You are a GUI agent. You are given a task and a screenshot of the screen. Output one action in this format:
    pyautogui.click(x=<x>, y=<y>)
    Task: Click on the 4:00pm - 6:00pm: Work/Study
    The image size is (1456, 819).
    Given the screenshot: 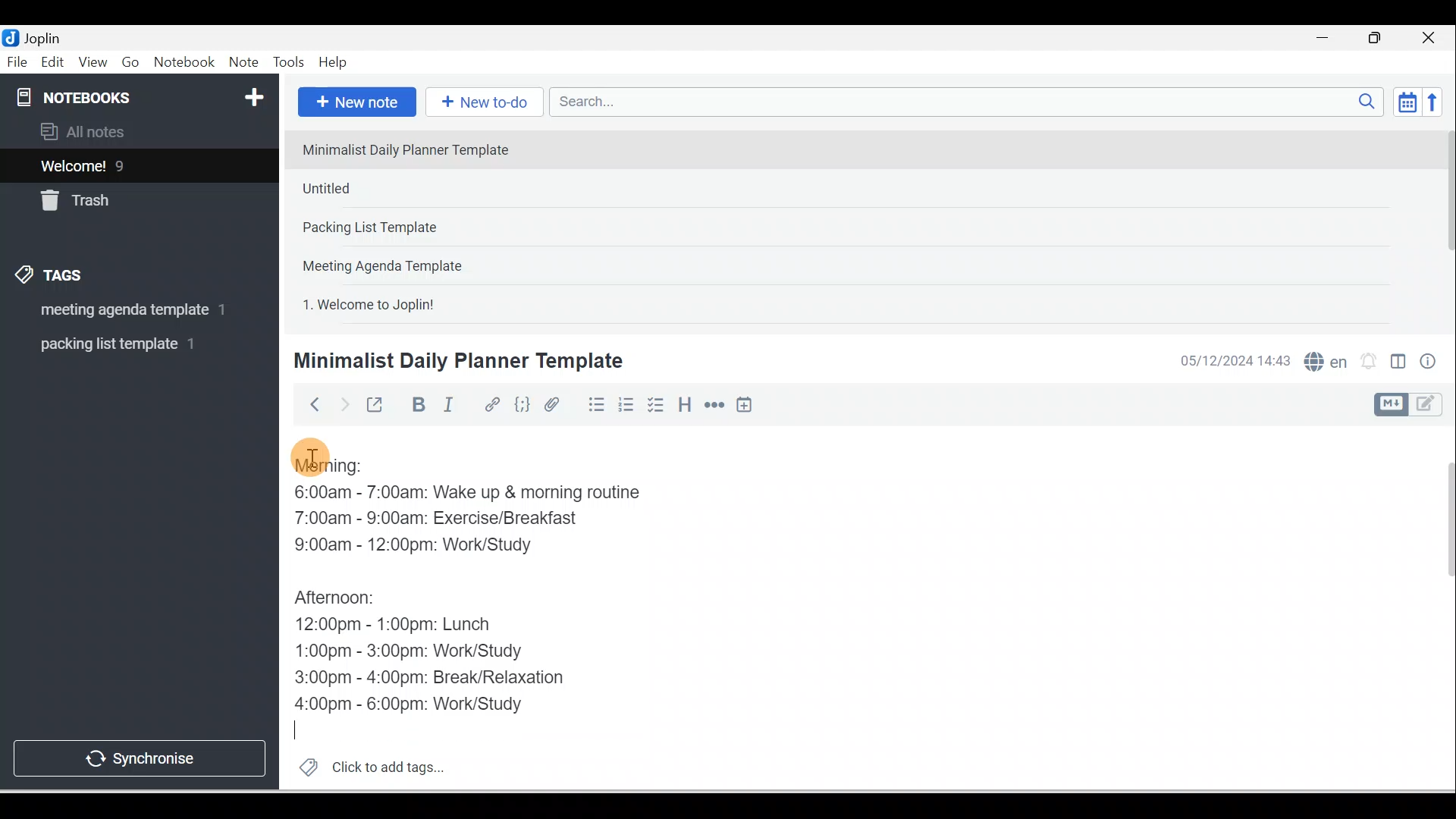 What is the action you would take?
    pyautogui.click(x=413, y=705)
    